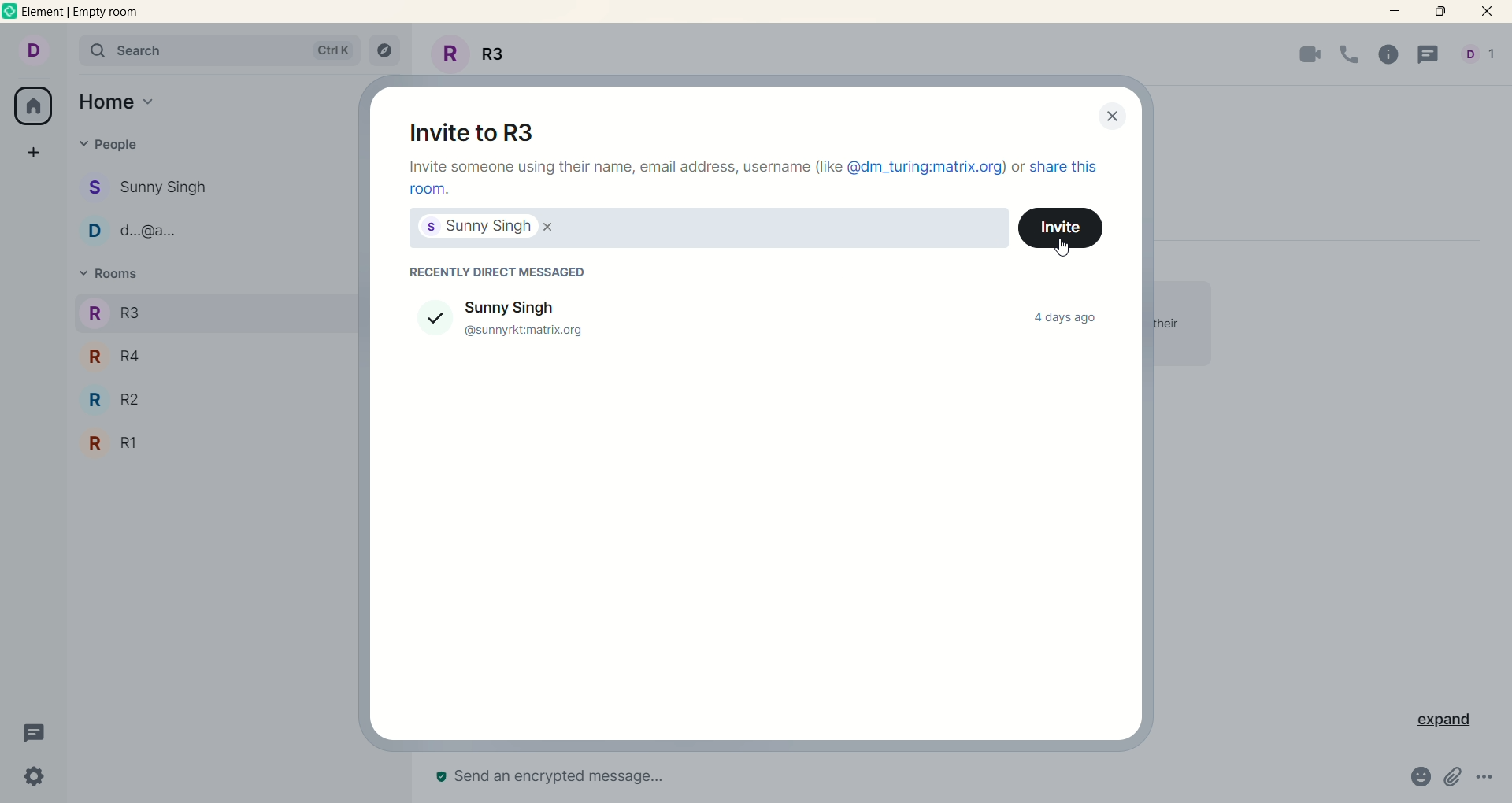  Describe the element at coordinates (424, 317) in the screenshot. I see `selected` at that location.